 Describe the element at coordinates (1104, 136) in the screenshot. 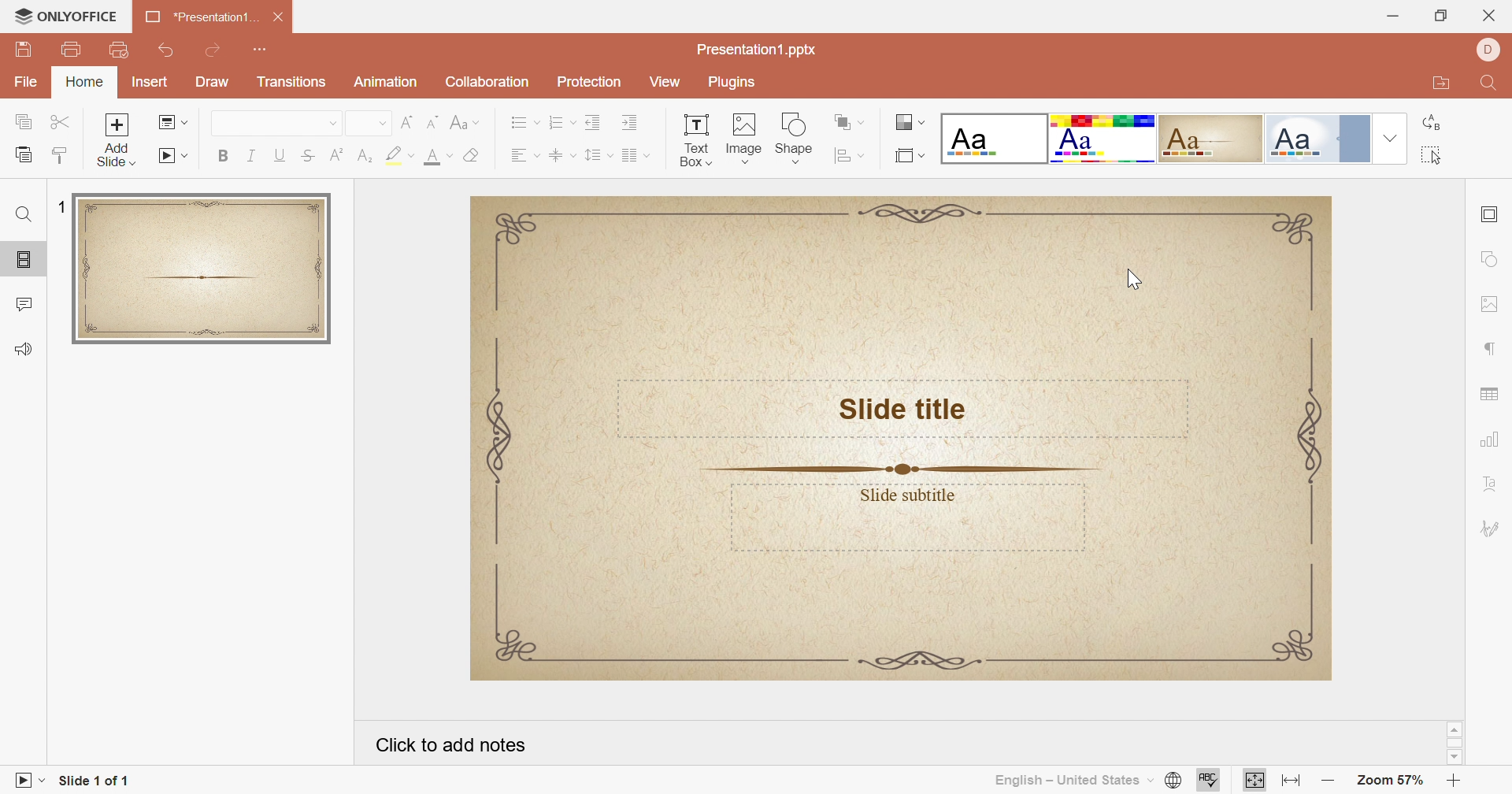

I see `Basic` at that location.